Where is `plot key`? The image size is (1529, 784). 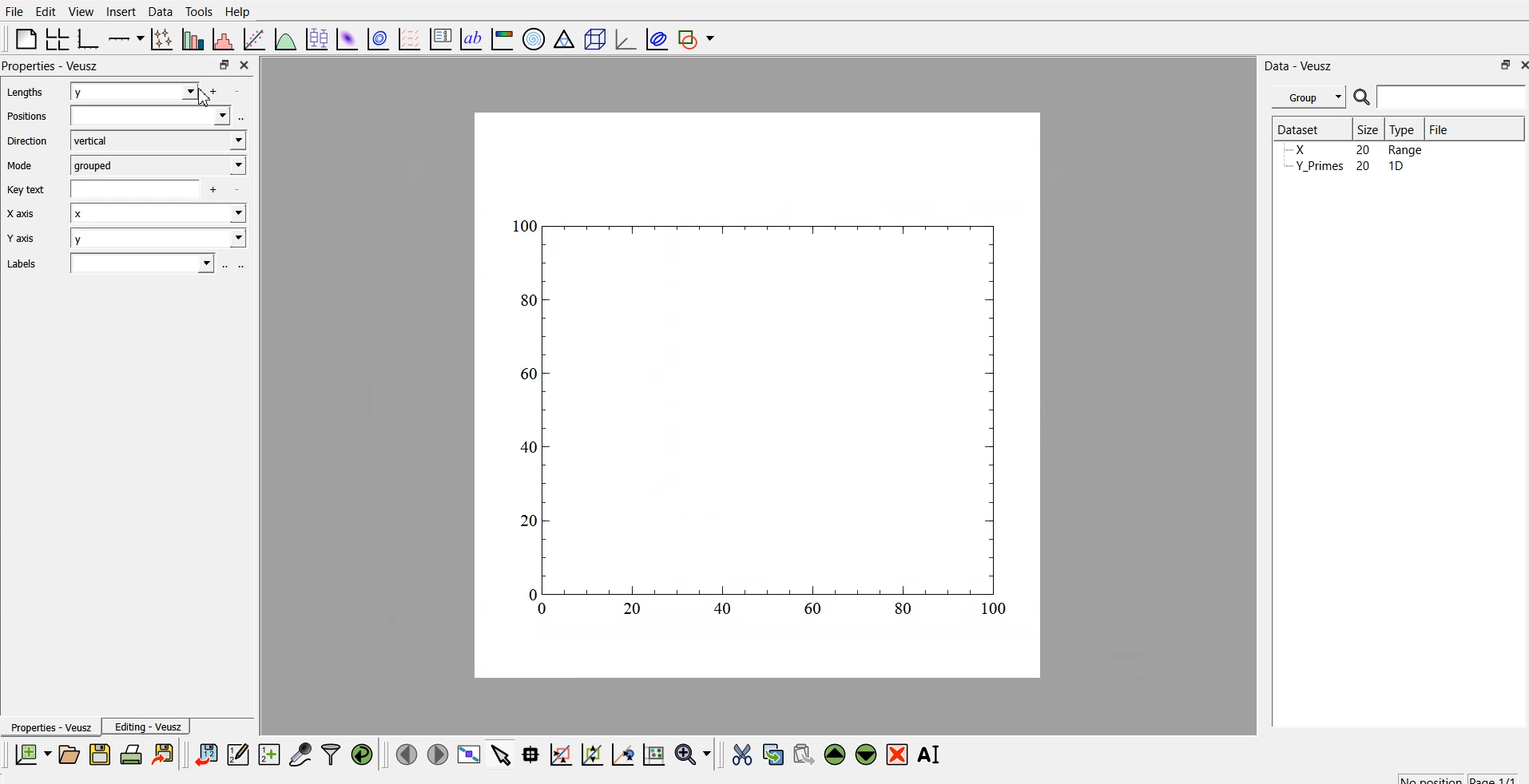
plot key is located at coordinates (441, 37).